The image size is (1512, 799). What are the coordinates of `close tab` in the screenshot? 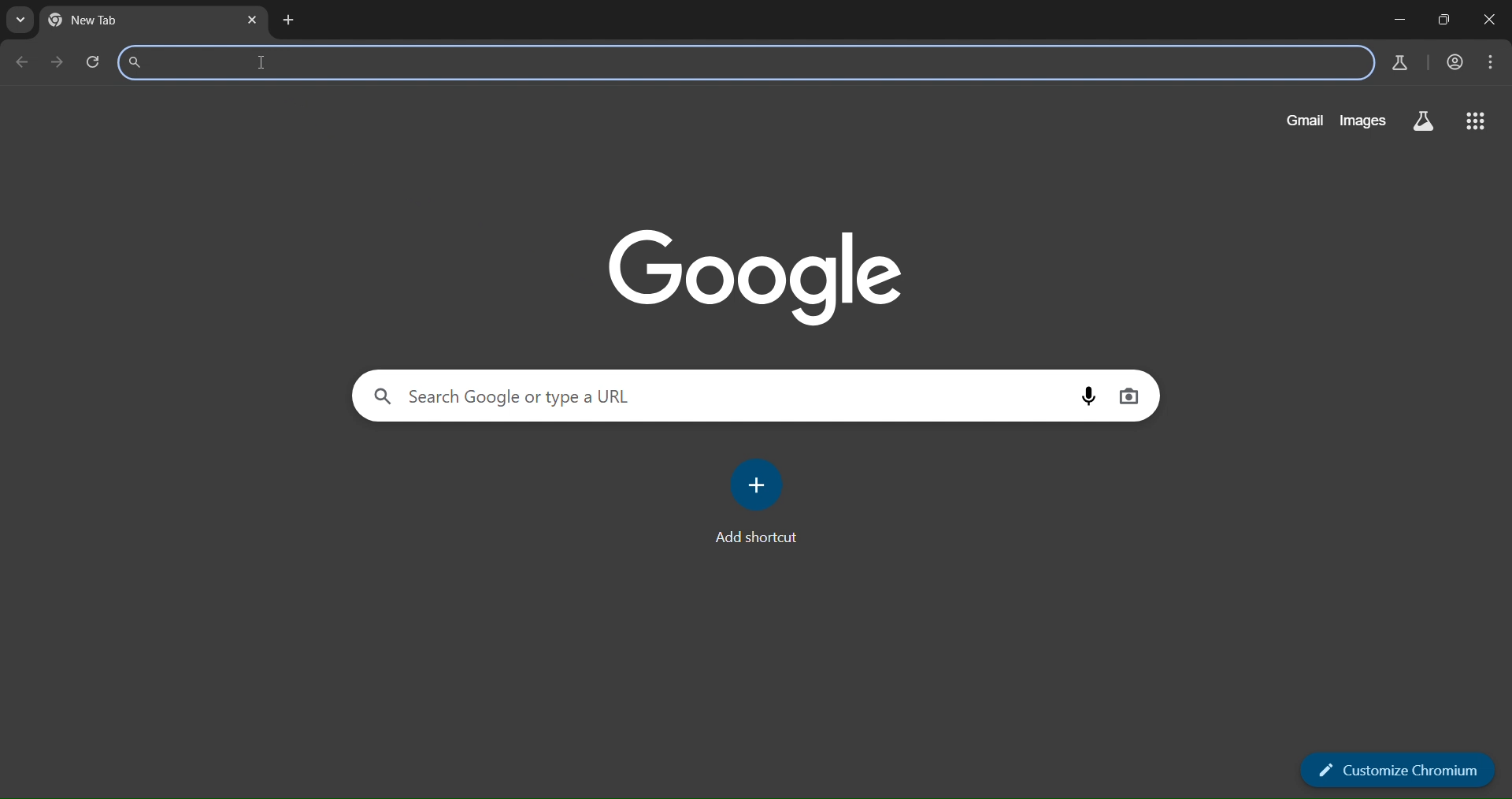 It's located at (254, 19).